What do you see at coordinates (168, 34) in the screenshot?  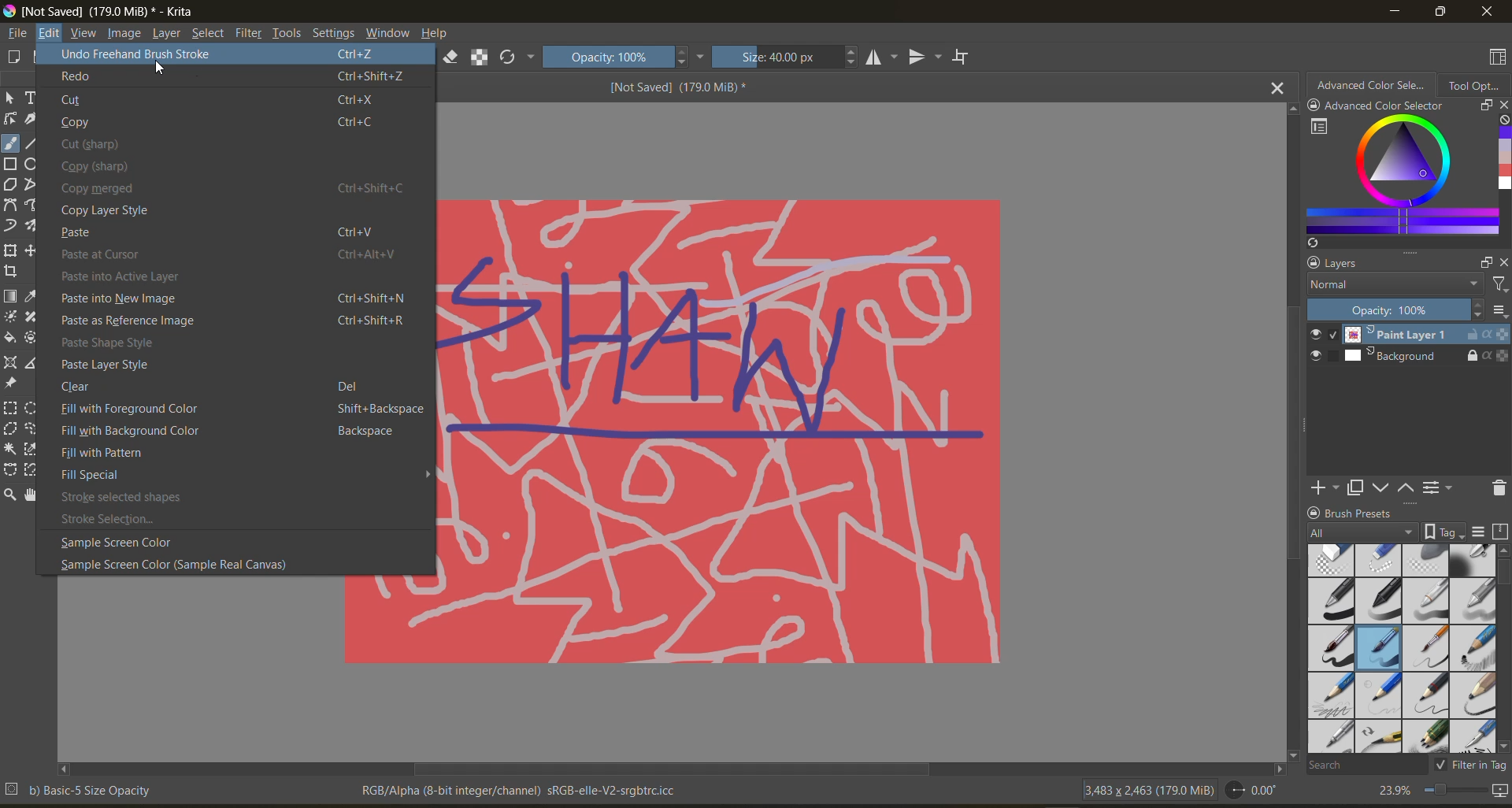 I see `layer` at bounding box center [168, 34].